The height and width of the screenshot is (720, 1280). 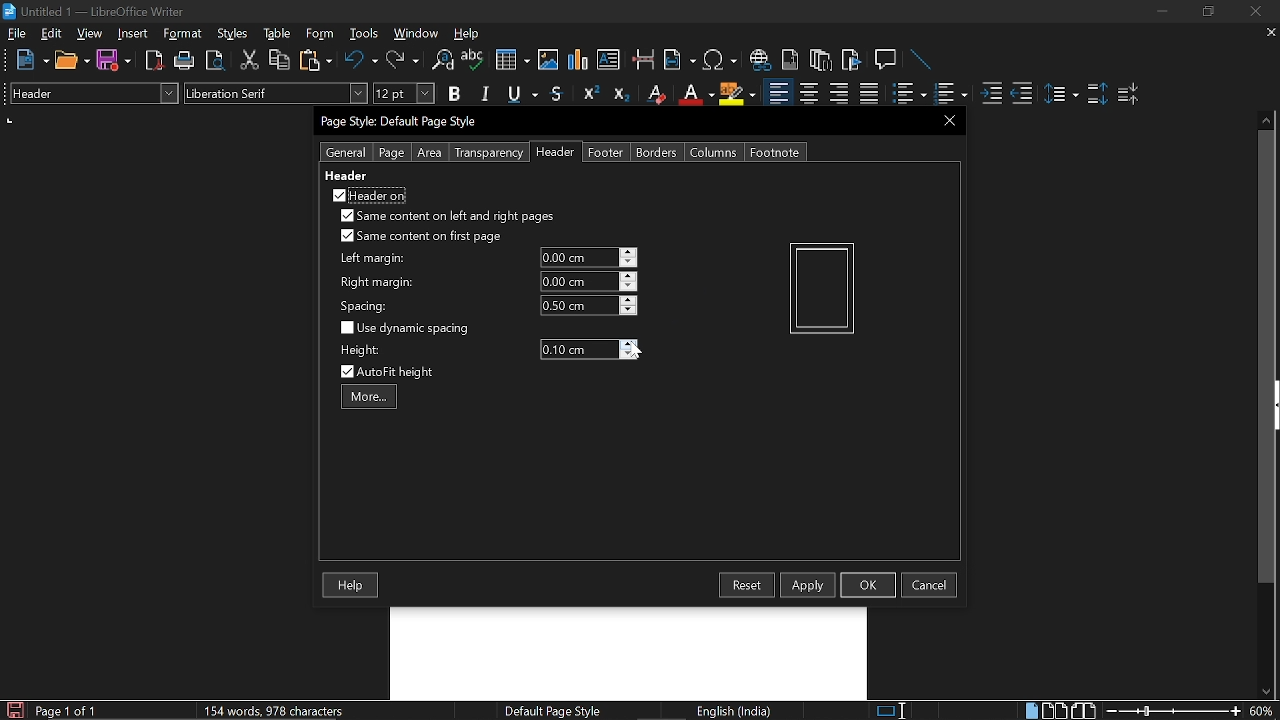 What do you see at coordinates (250, 60) in the screenshot?
I see `Cut` at bounding box center [250, 60].